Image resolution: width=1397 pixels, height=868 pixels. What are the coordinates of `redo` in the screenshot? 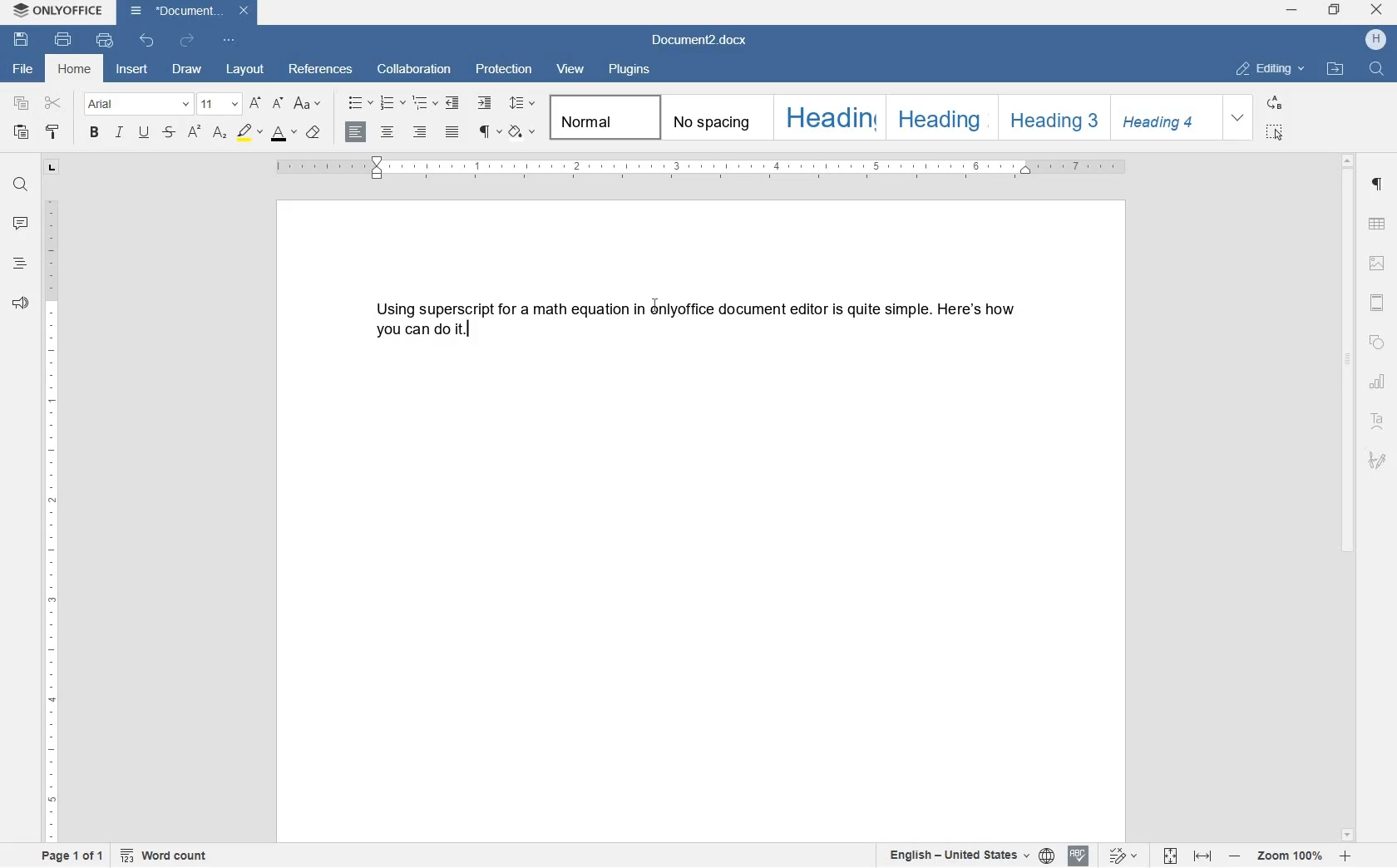 It's located at (185, 40).